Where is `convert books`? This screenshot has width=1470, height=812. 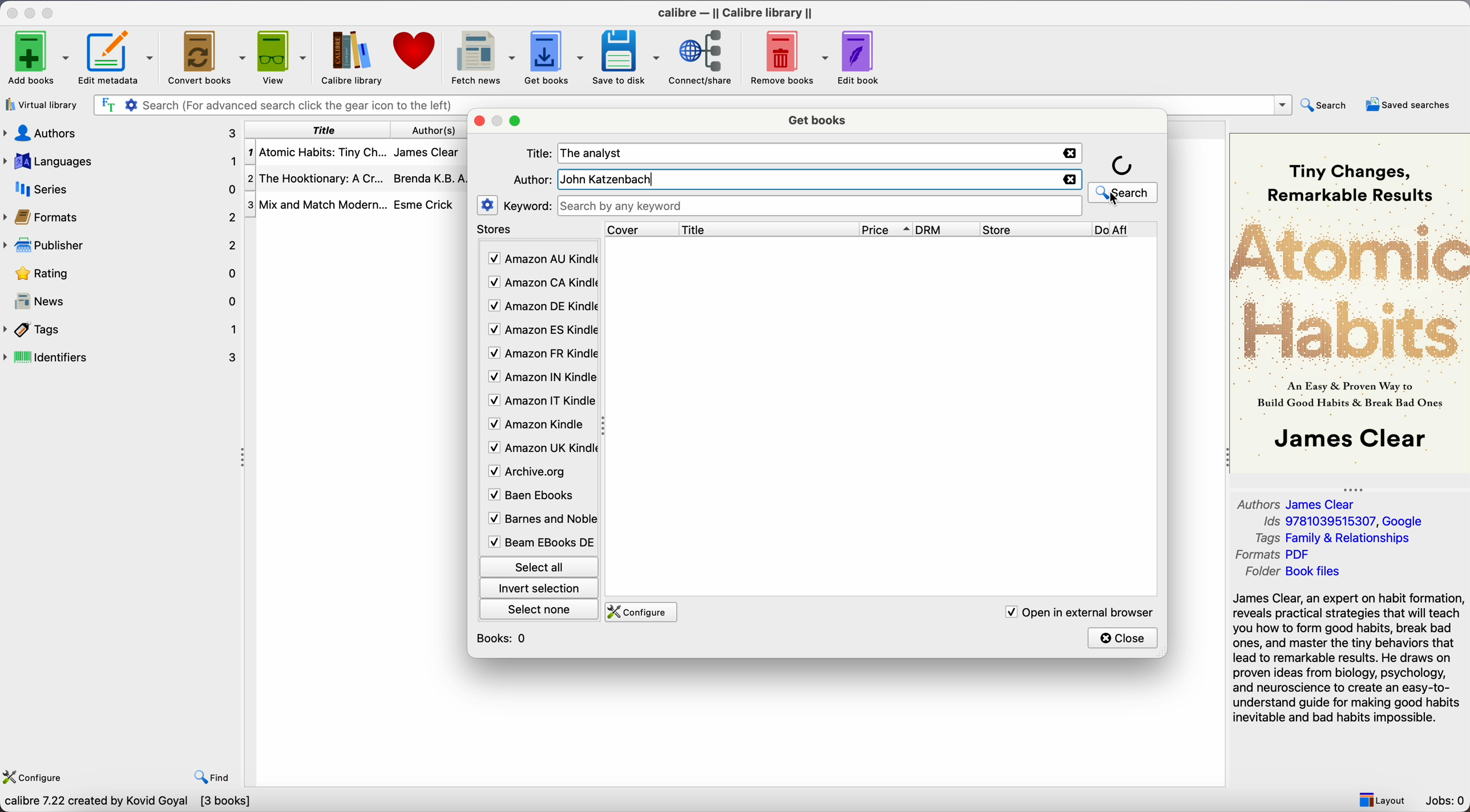
convert books is located at coordinates (205, 56).